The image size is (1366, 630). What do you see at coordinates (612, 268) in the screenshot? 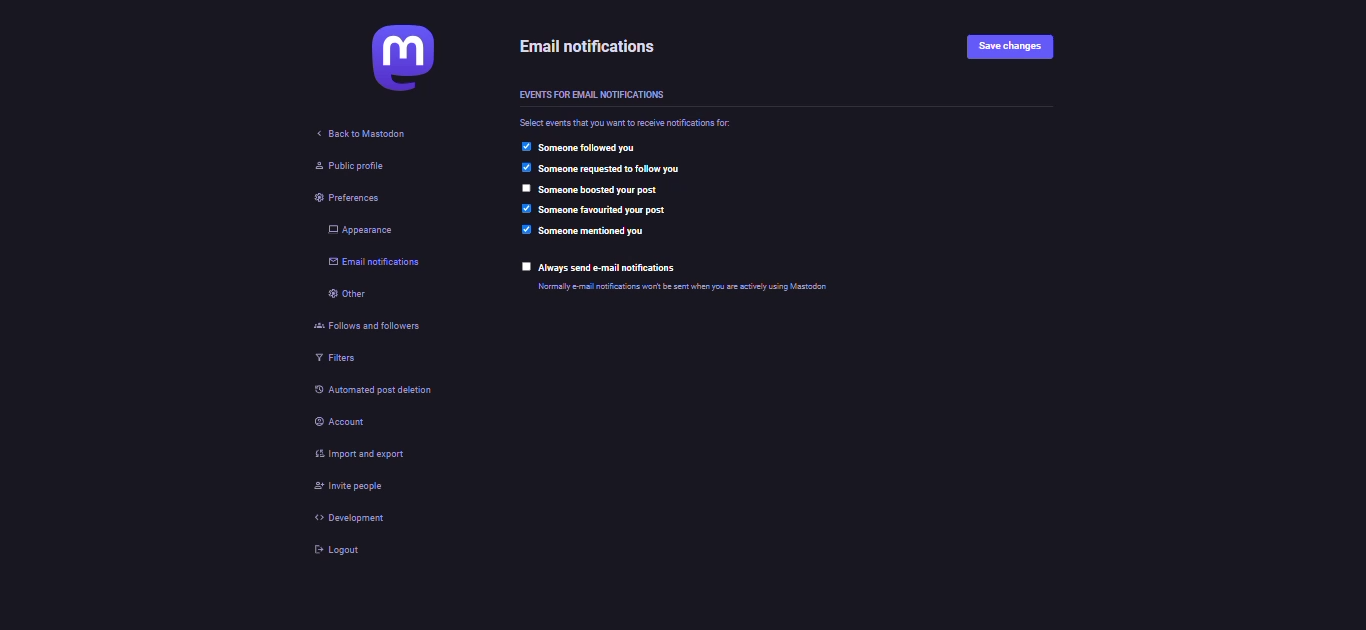
I see `always send email notifications` at bounding box center [612, 268].